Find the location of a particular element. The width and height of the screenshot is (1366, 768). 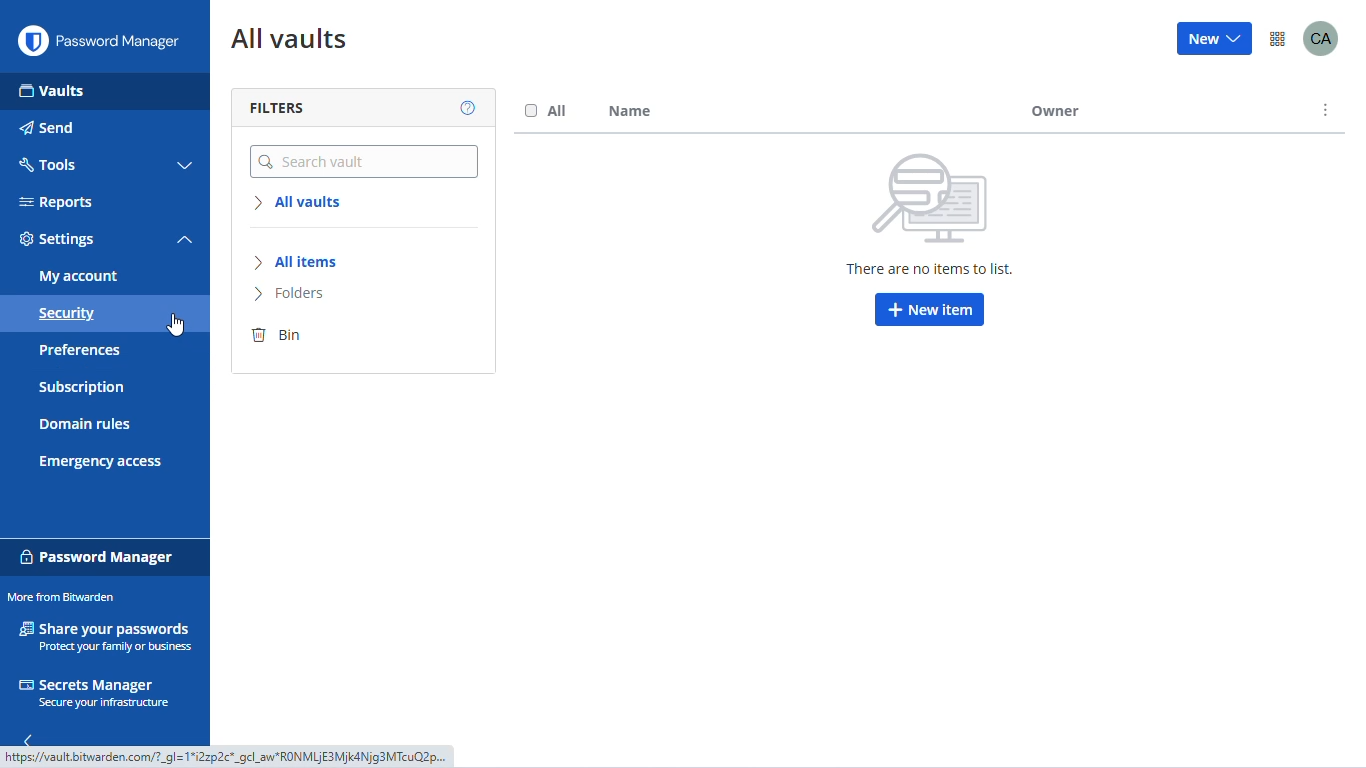

emergency access is located at coordinates (101, 462).